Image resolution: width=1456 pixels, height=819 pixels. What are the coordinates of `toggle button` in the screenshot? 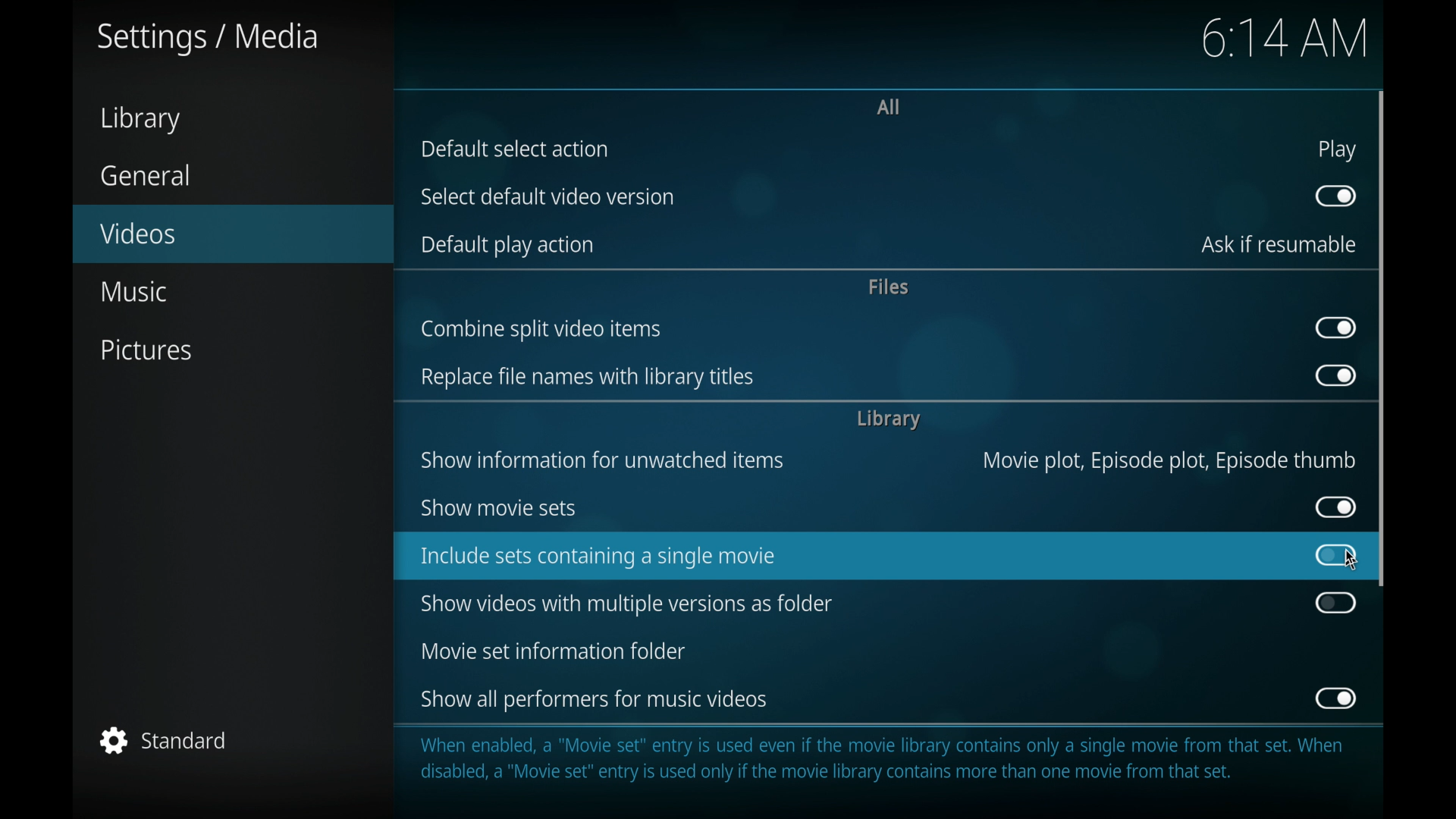 It's located at (1335, 603).